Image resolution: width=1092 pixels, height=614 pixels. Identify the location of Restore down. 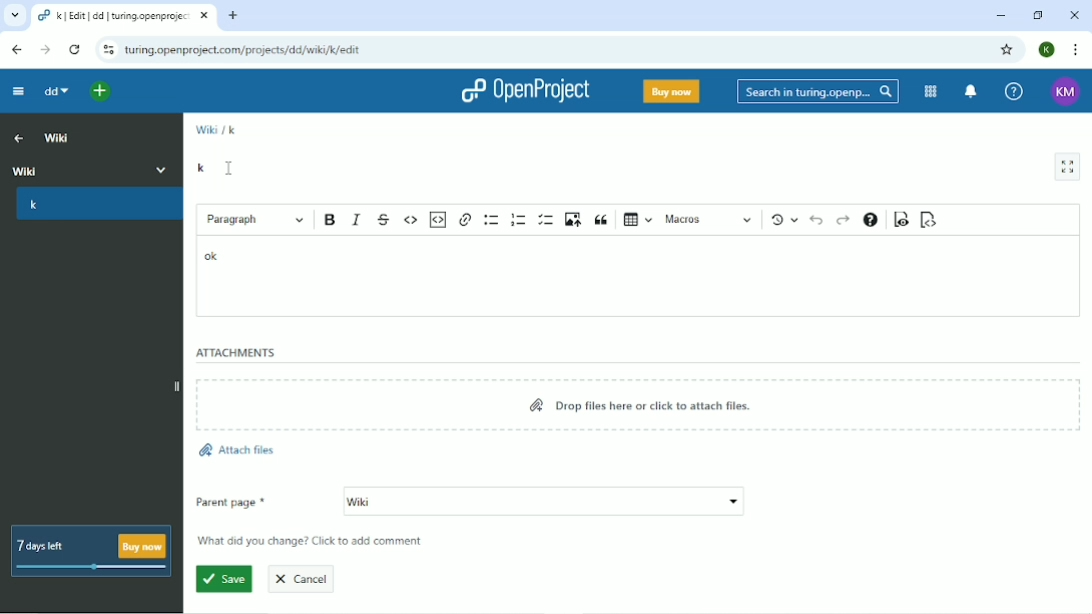
(1037, 15).